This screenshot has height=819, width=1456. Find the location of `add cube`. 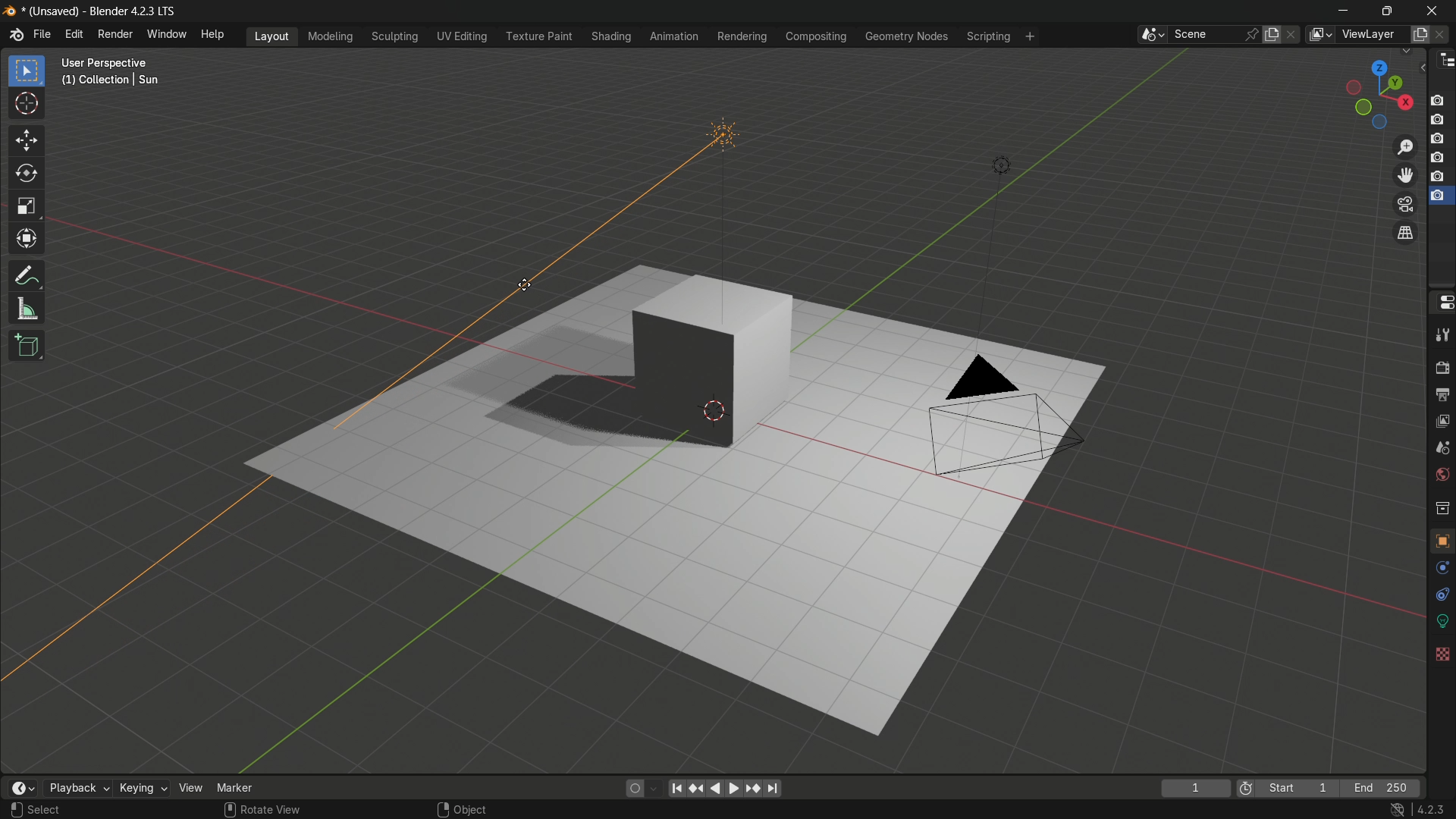

add cube is located at coordinates (29, 346).